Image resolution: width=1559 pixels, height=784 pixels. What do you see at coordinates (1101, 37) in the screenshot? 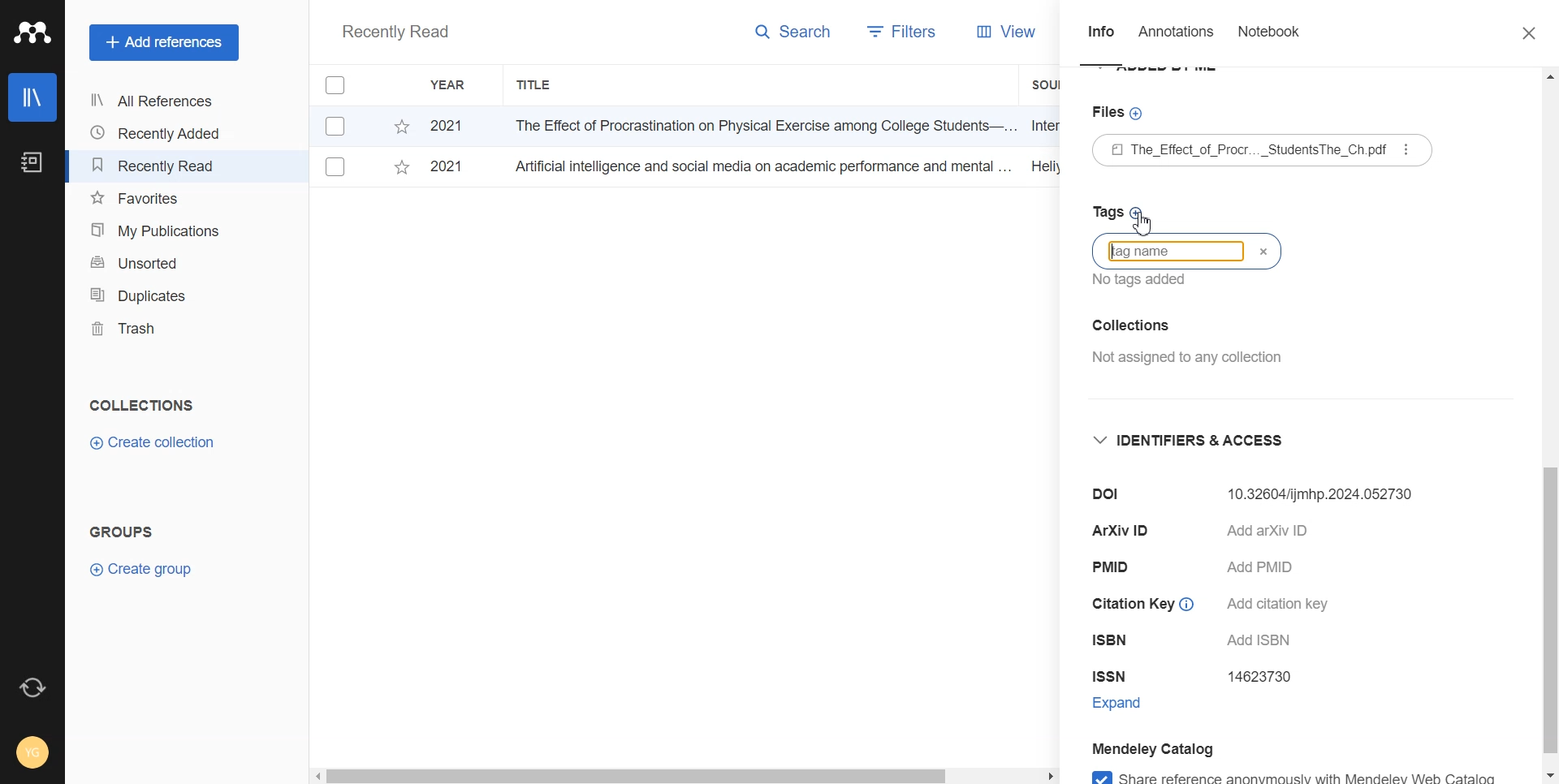
I see `Info` at bounding box center [1101, 37].